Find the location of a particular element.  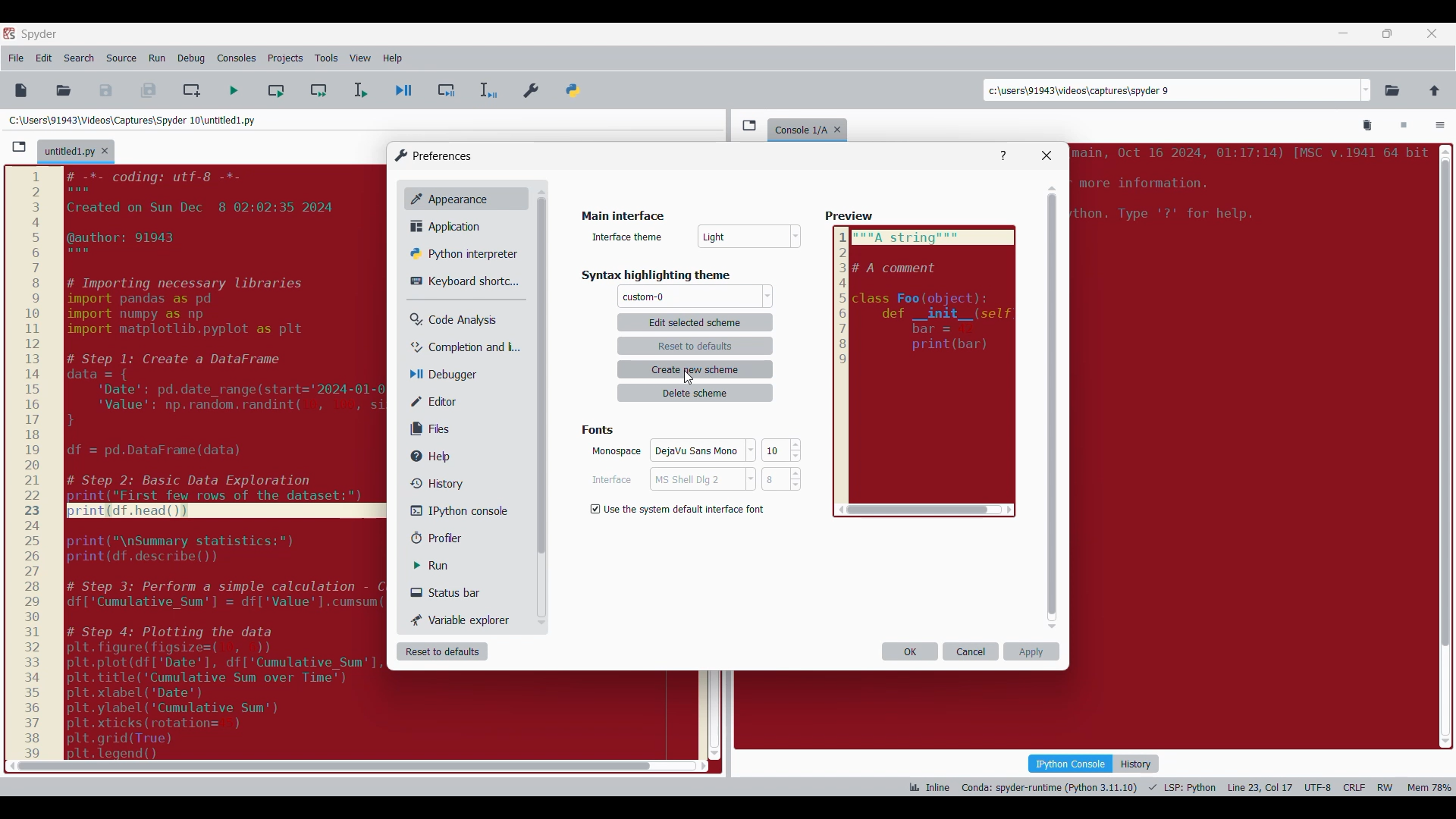

scale is located at coordinates (32, 463).